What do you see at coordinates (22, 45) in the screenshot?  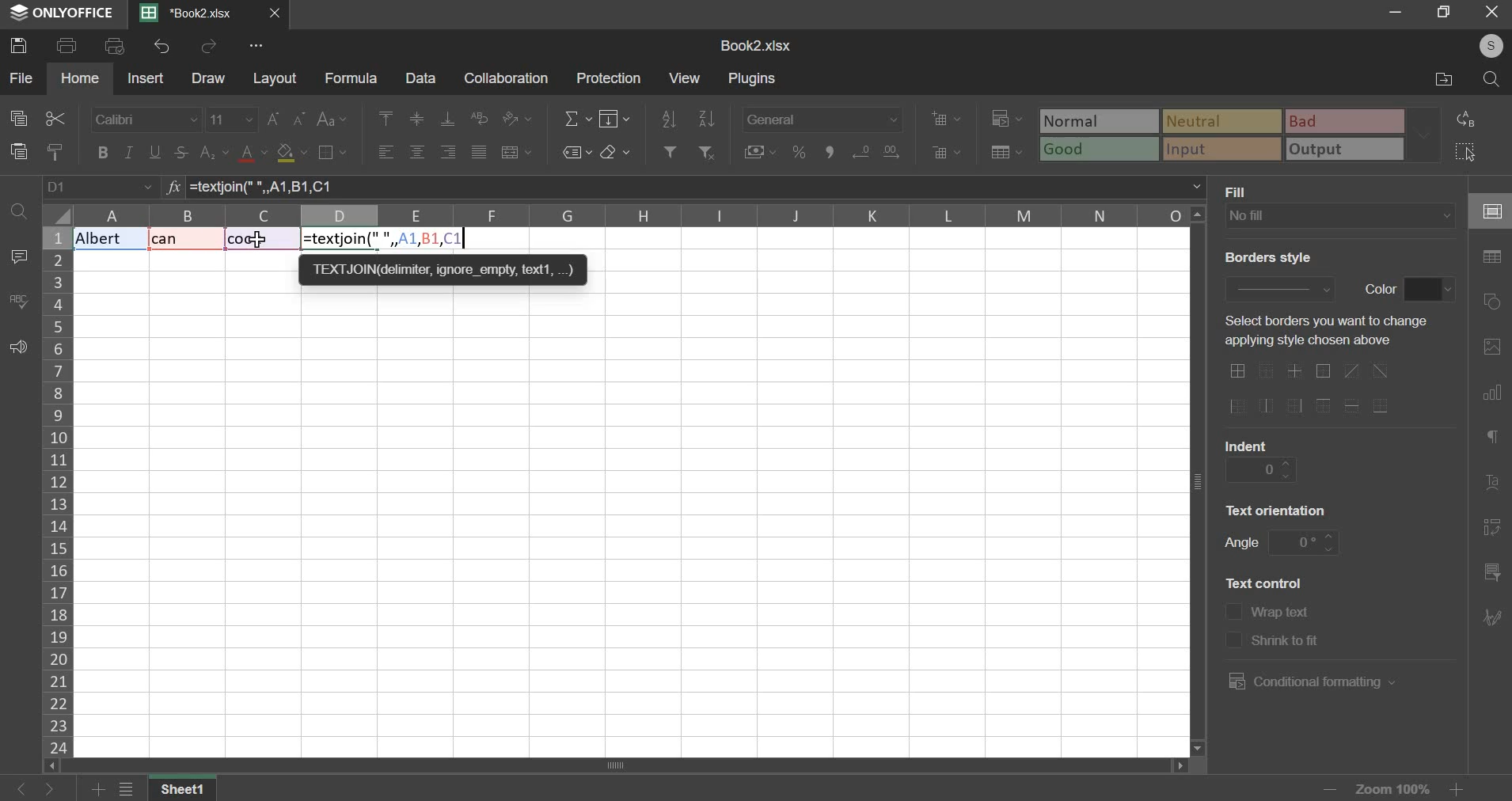 I see `save` at bounding box center [22, 45].